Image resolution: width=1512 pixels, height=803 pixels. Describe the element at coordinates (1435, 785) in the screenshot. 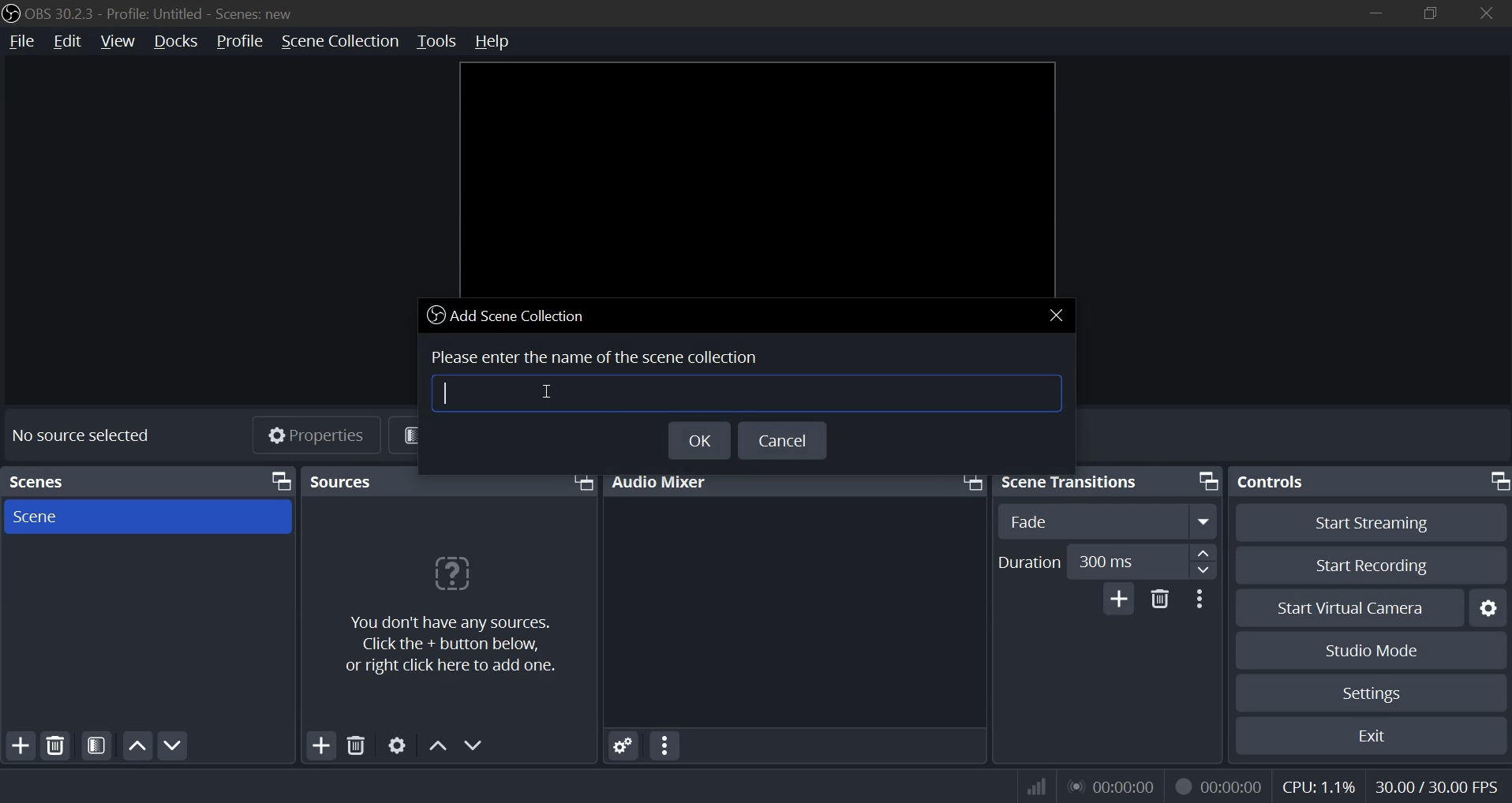

I see `fps indicator` at that location.